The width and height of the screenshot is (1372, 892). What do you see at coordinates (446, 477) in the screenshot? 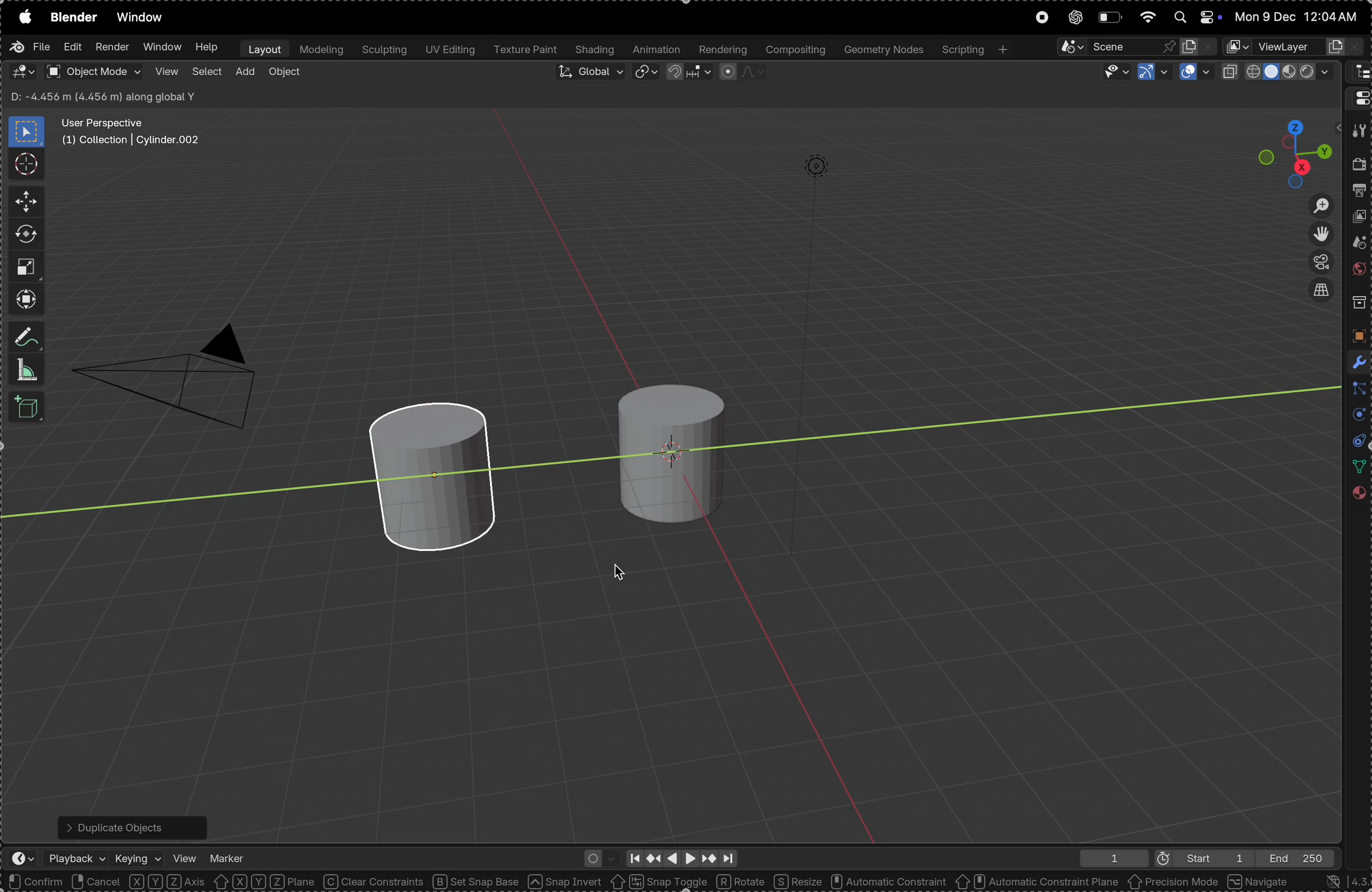
I see `cylinder` at bounding box center [446, 477].